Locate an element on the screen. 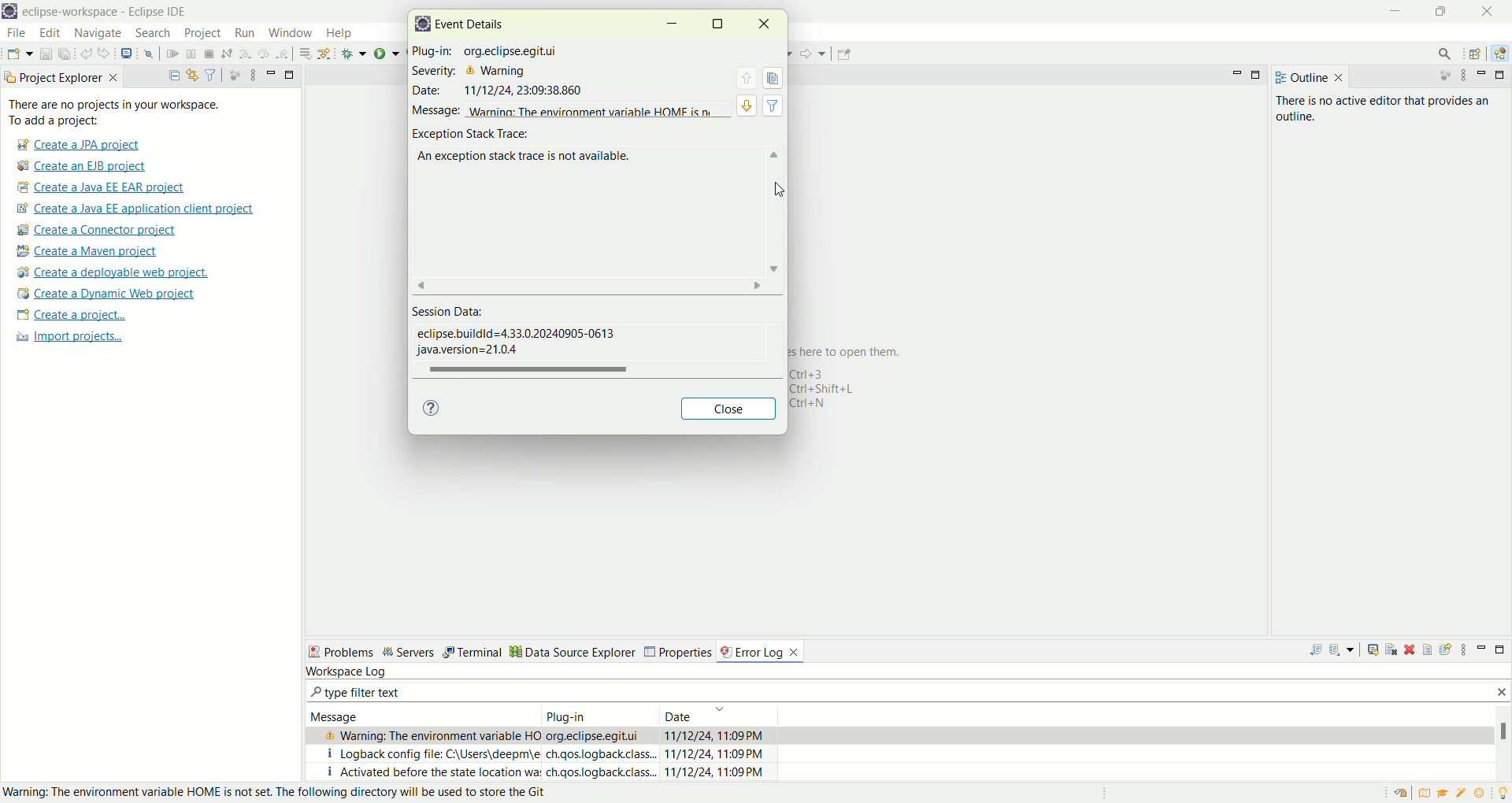 The width and height of the screenshot is (1512, 803). tip of the day is located at coordinates (1502, 794).